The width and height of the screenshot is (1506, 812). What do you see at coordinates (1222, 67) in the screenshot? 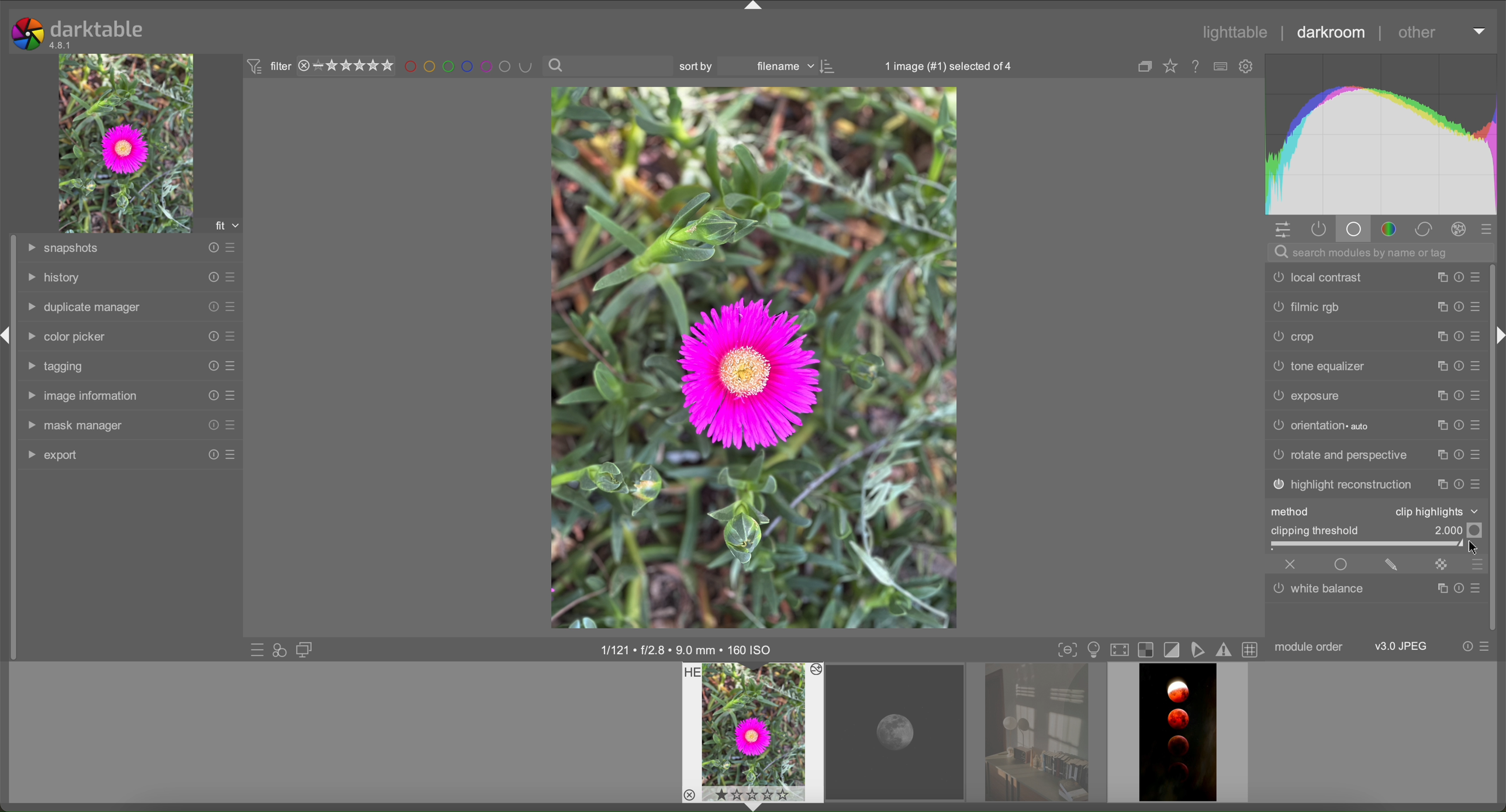
I see `type of overlays` at bounding box center [1222, 67].